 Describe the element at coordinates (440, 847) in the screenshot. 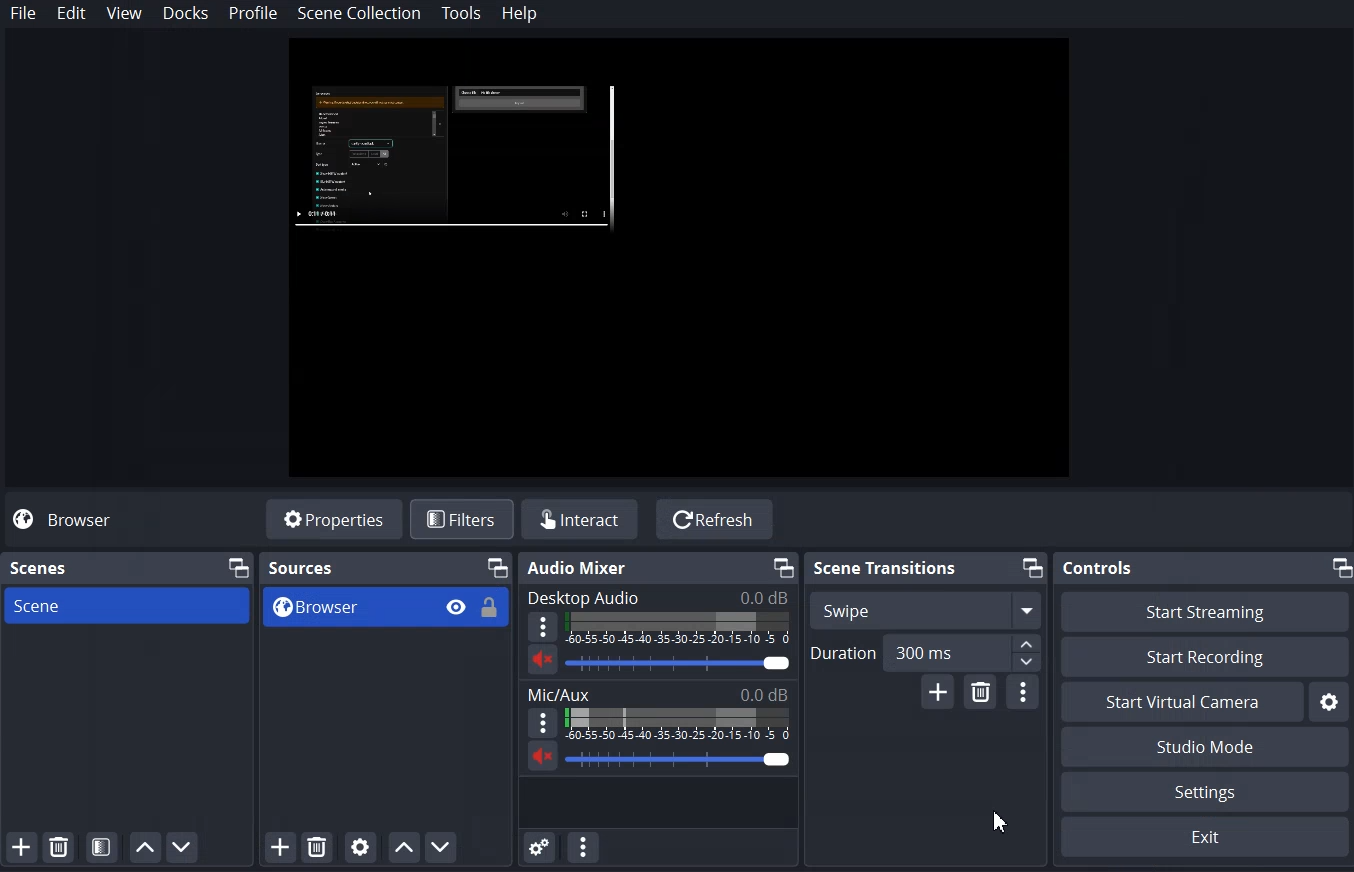

I see `Move Source Down` at that location.